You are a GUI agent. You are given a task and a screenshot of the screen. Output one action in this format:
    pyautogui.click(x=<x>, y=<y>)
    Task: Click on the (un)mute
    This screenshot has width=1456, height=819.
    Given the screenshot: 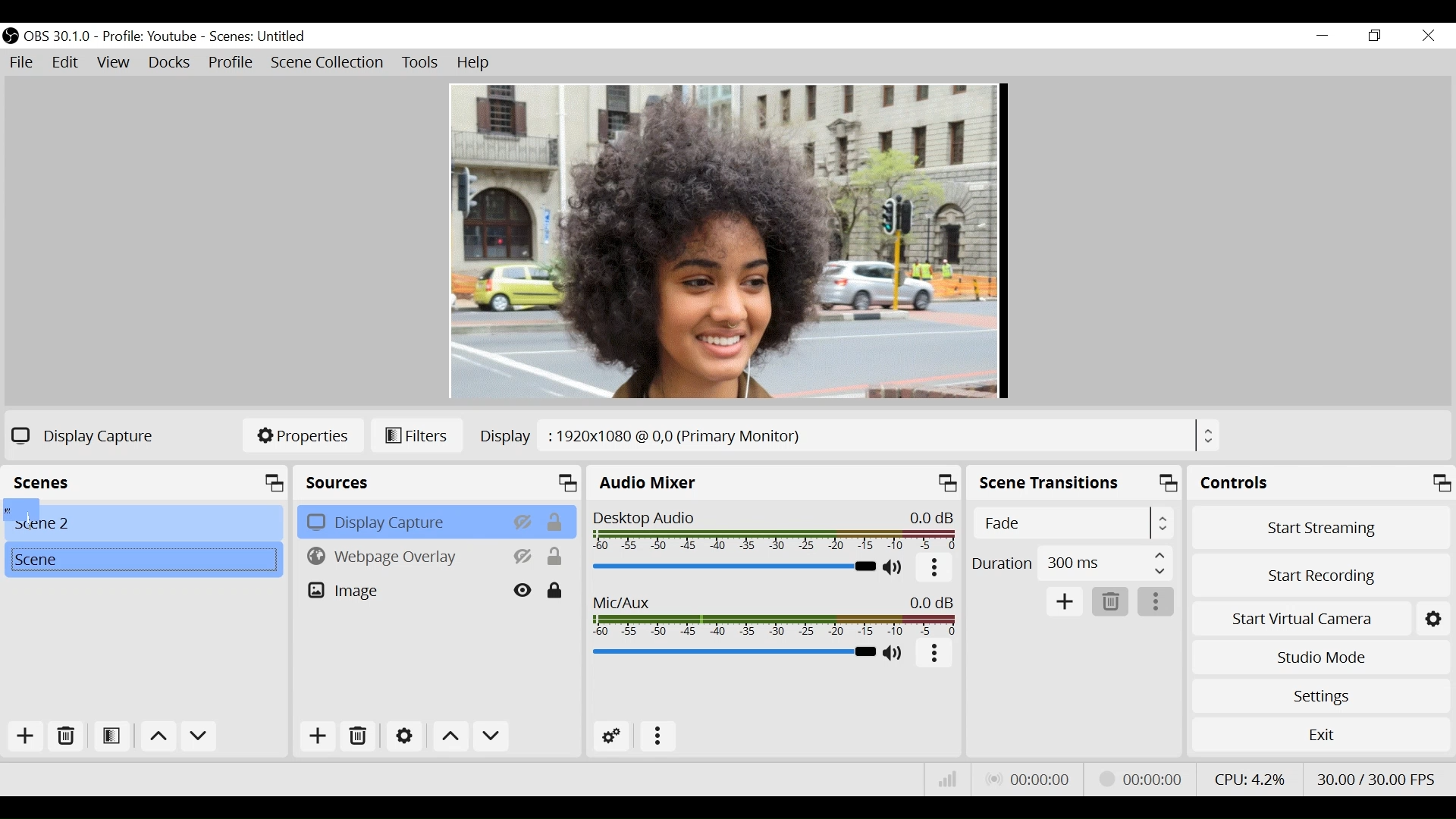 What is the action you would take?
    pyautogui.click(x=895, y=569)
    